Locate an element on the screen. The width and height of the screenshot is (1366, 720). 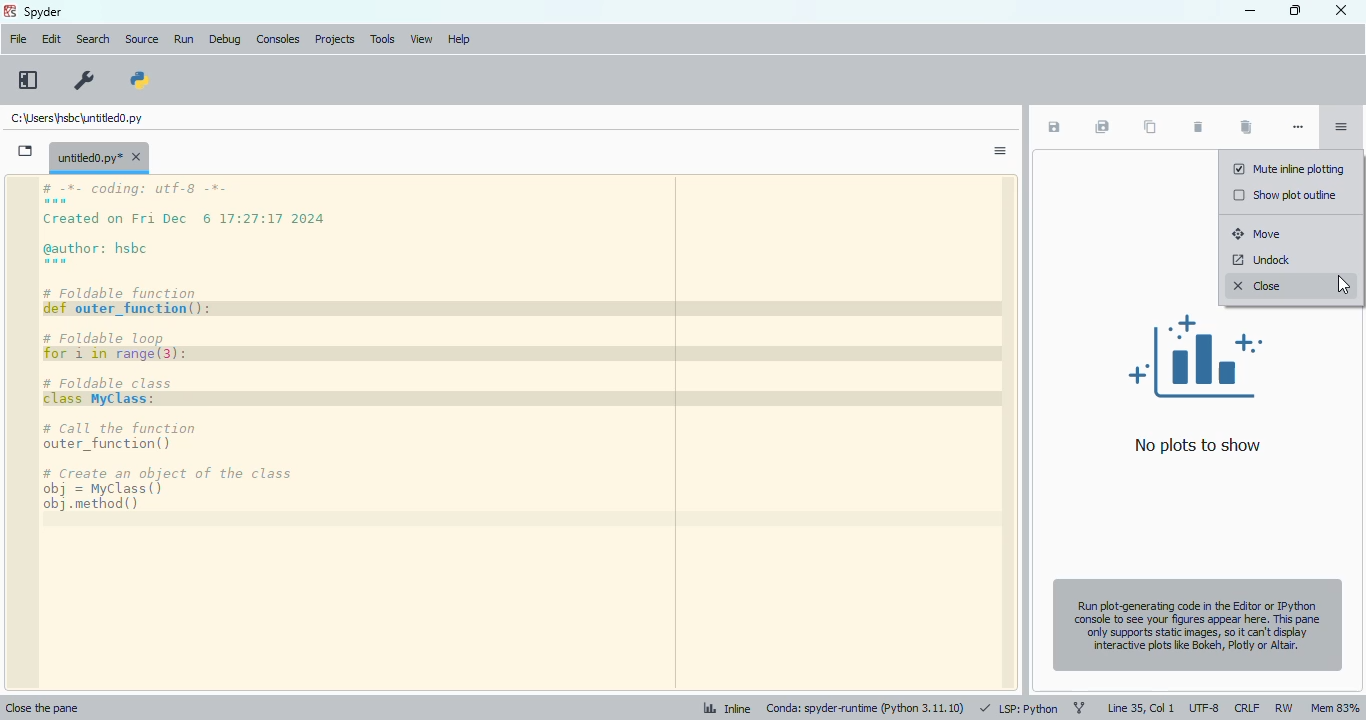
projects is located at coordinates (336, 39).